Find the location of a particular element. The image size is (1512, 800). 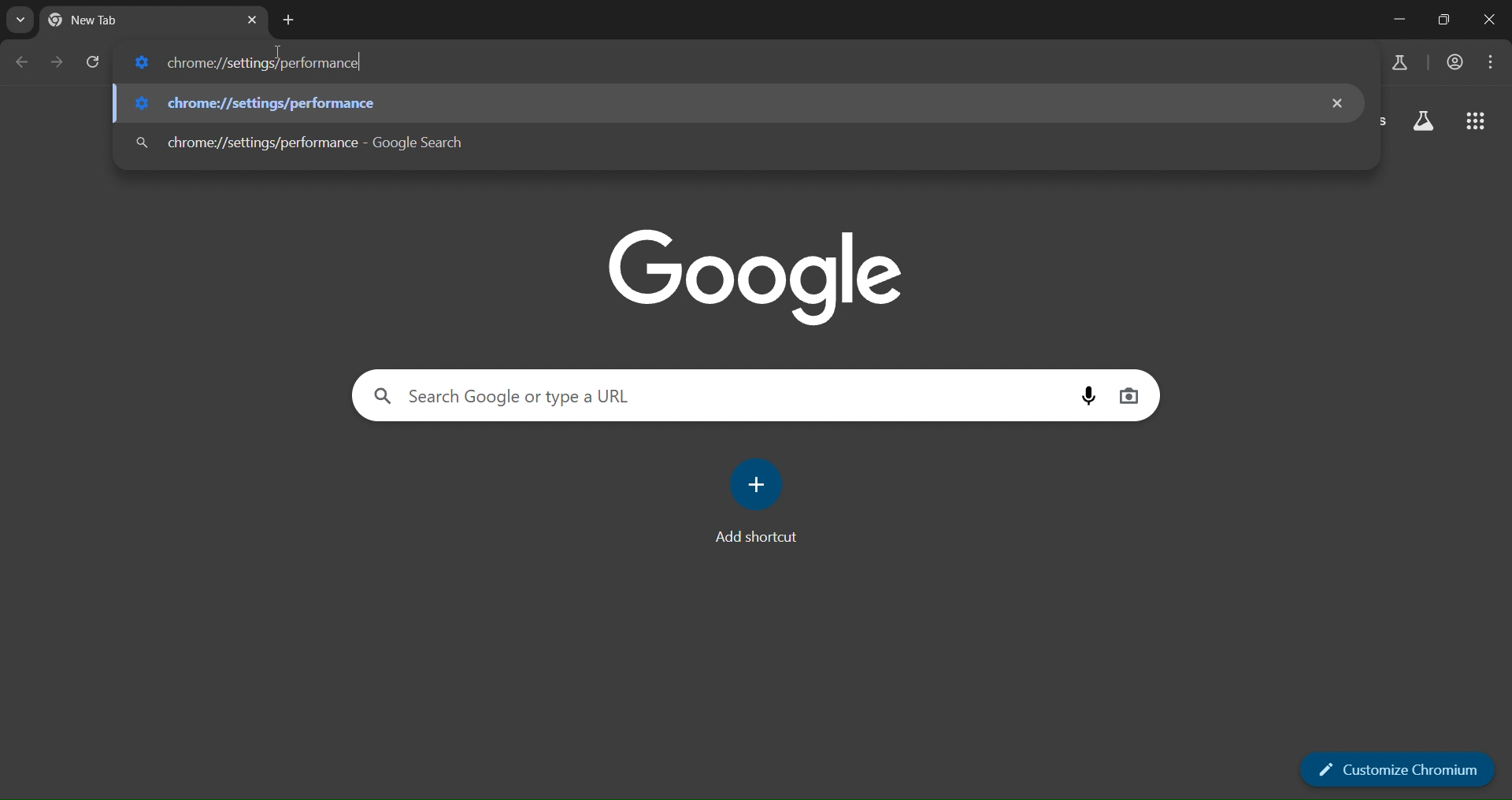

close tab is located at coordinates (254, 22).